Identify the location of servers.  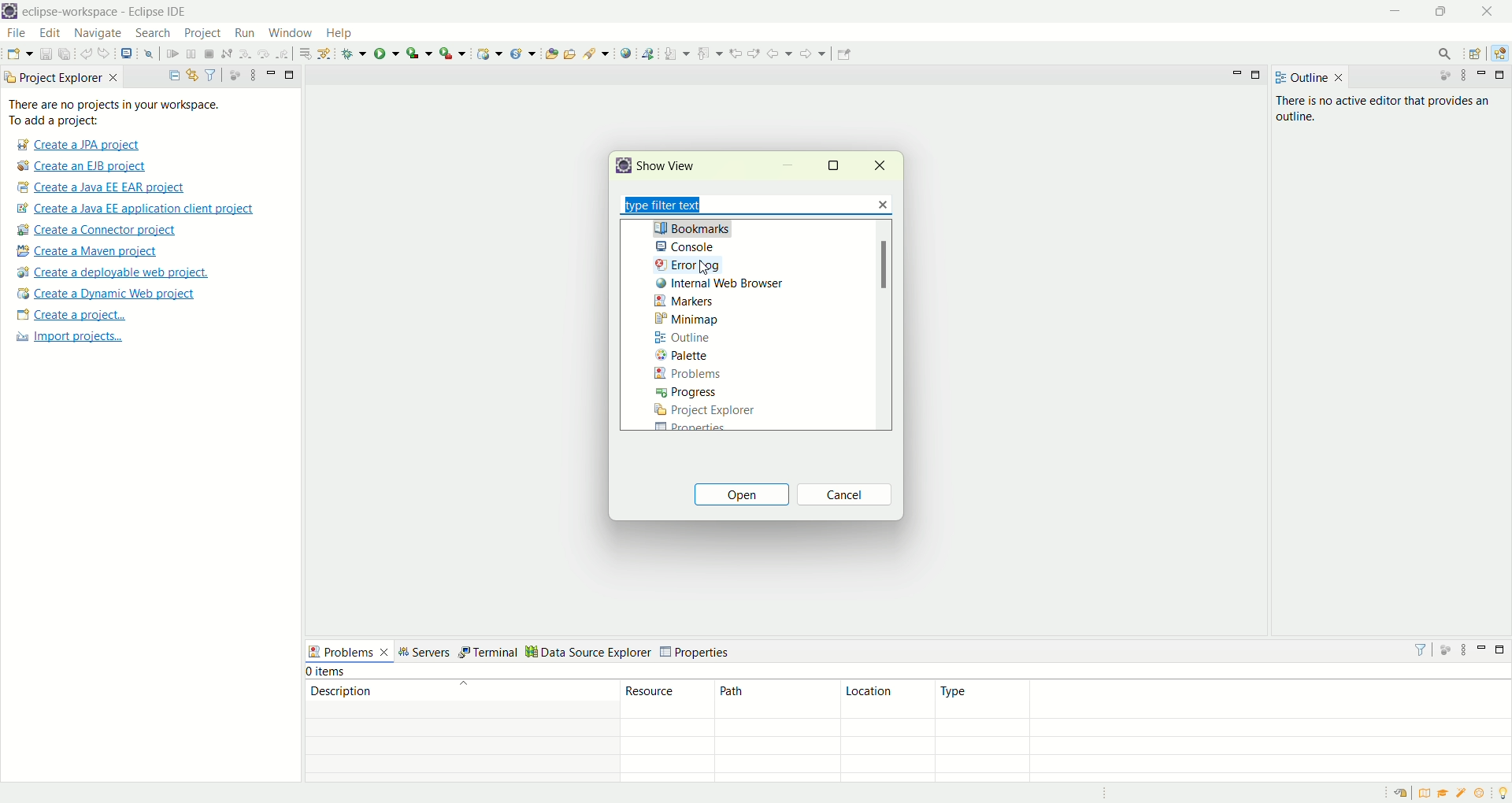
(424, 651).